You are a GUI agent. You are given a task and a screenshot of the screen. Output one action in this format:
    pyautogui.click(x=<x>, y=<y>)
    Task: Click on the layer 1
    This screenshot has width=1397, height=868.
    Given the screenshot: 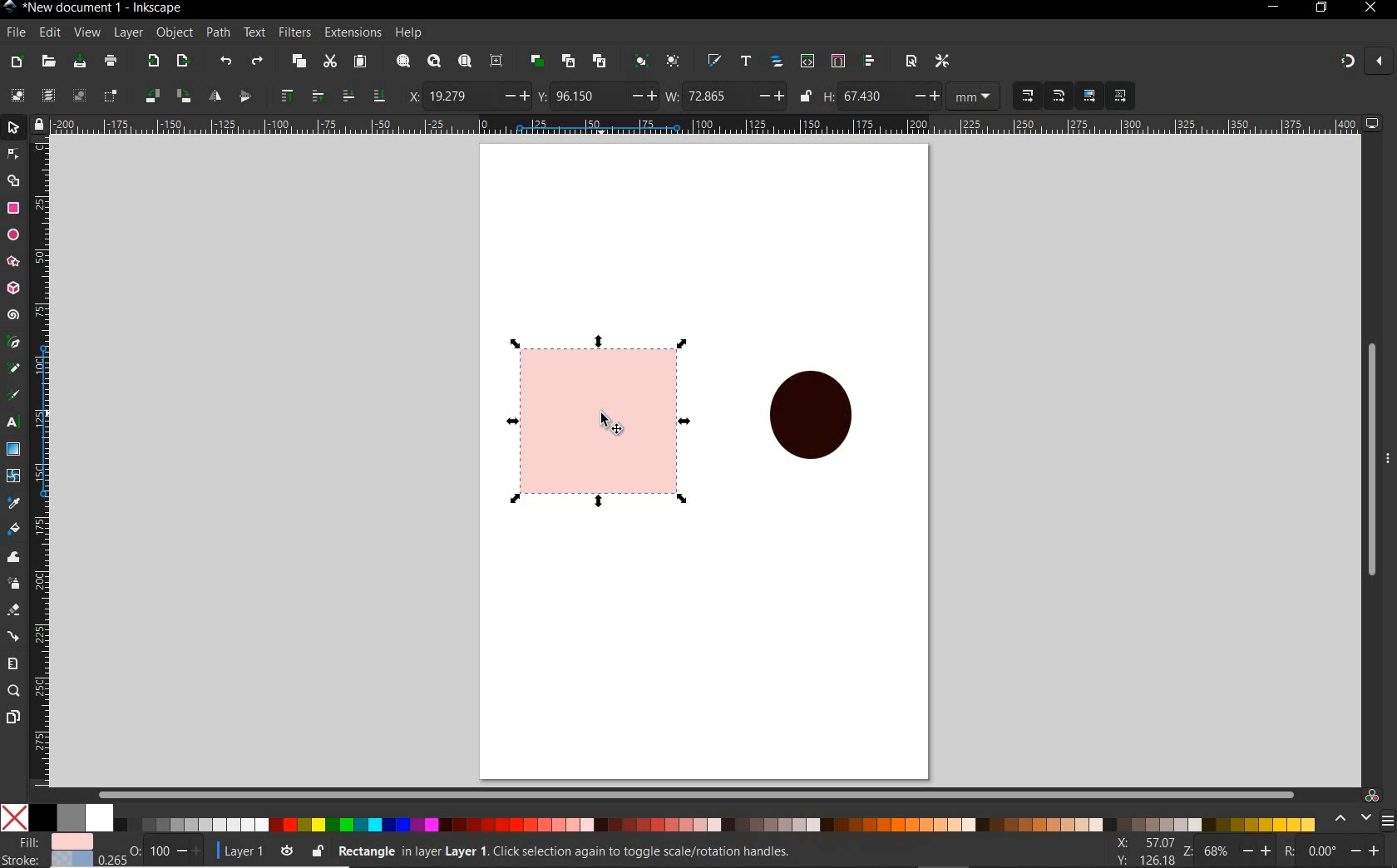 What is the action you would take?
    pyautogui.click(x=257, y=850)
    